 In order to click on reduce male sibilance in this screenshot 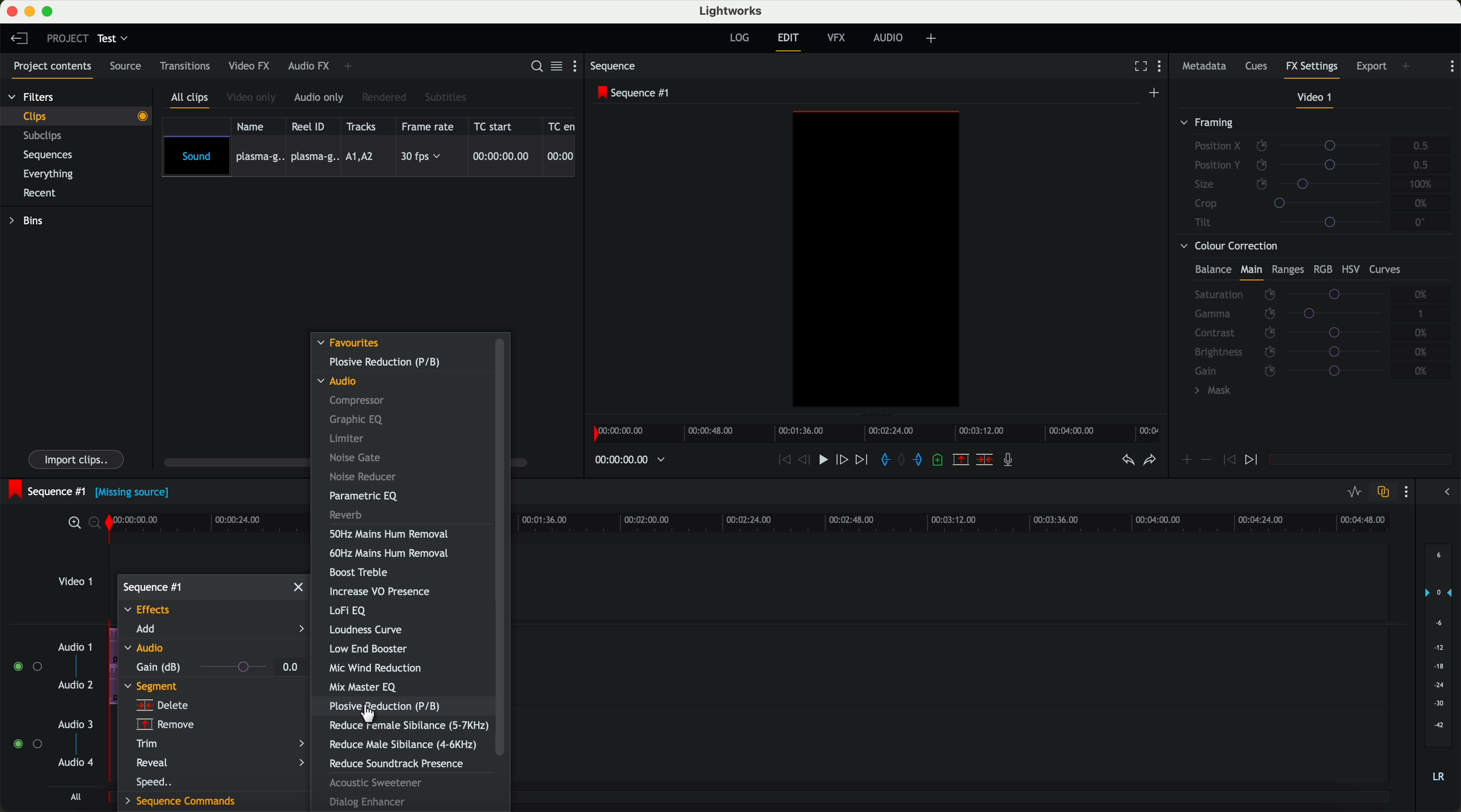, I will do `click(404, 745)`.